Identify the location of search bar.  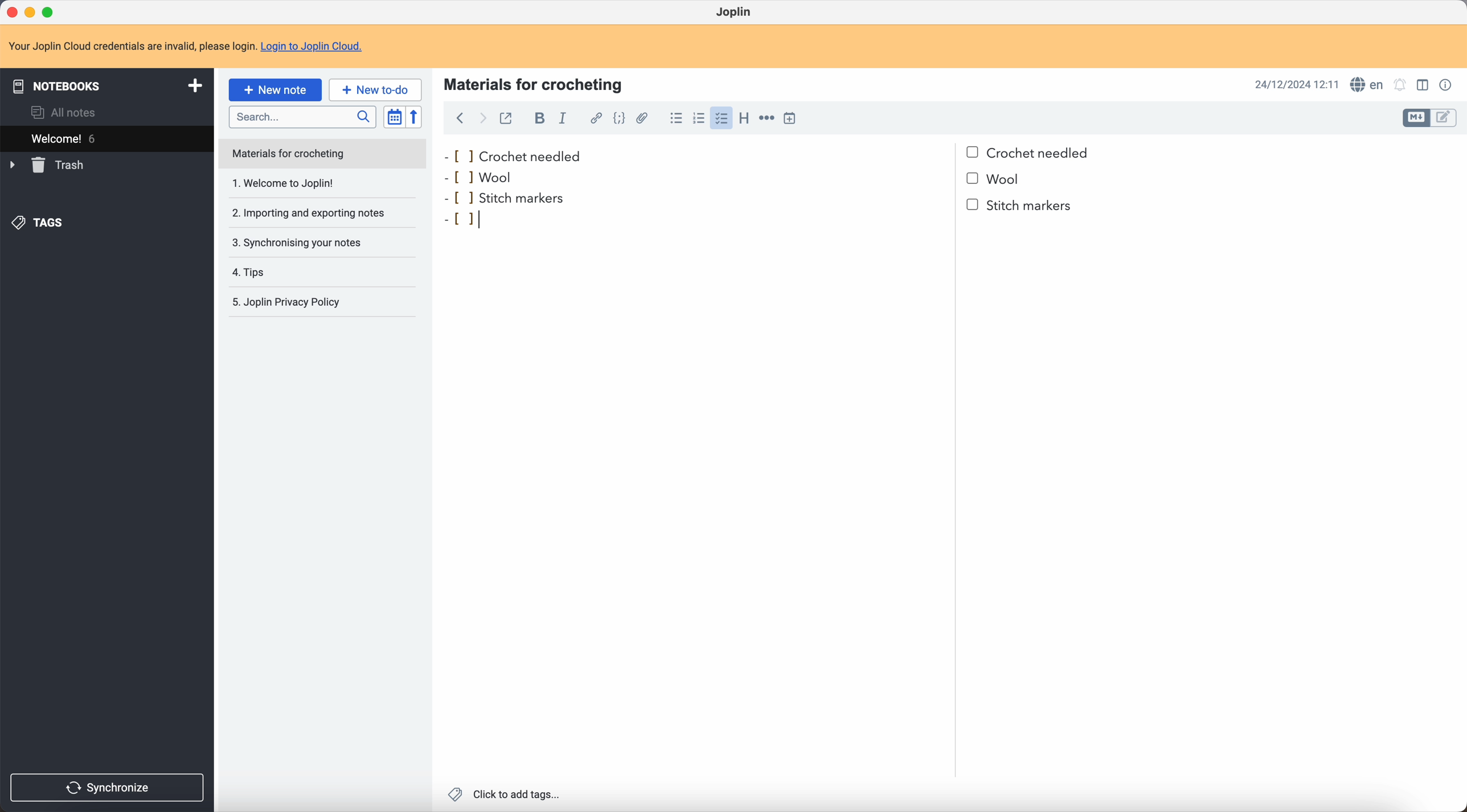
(302, 116).